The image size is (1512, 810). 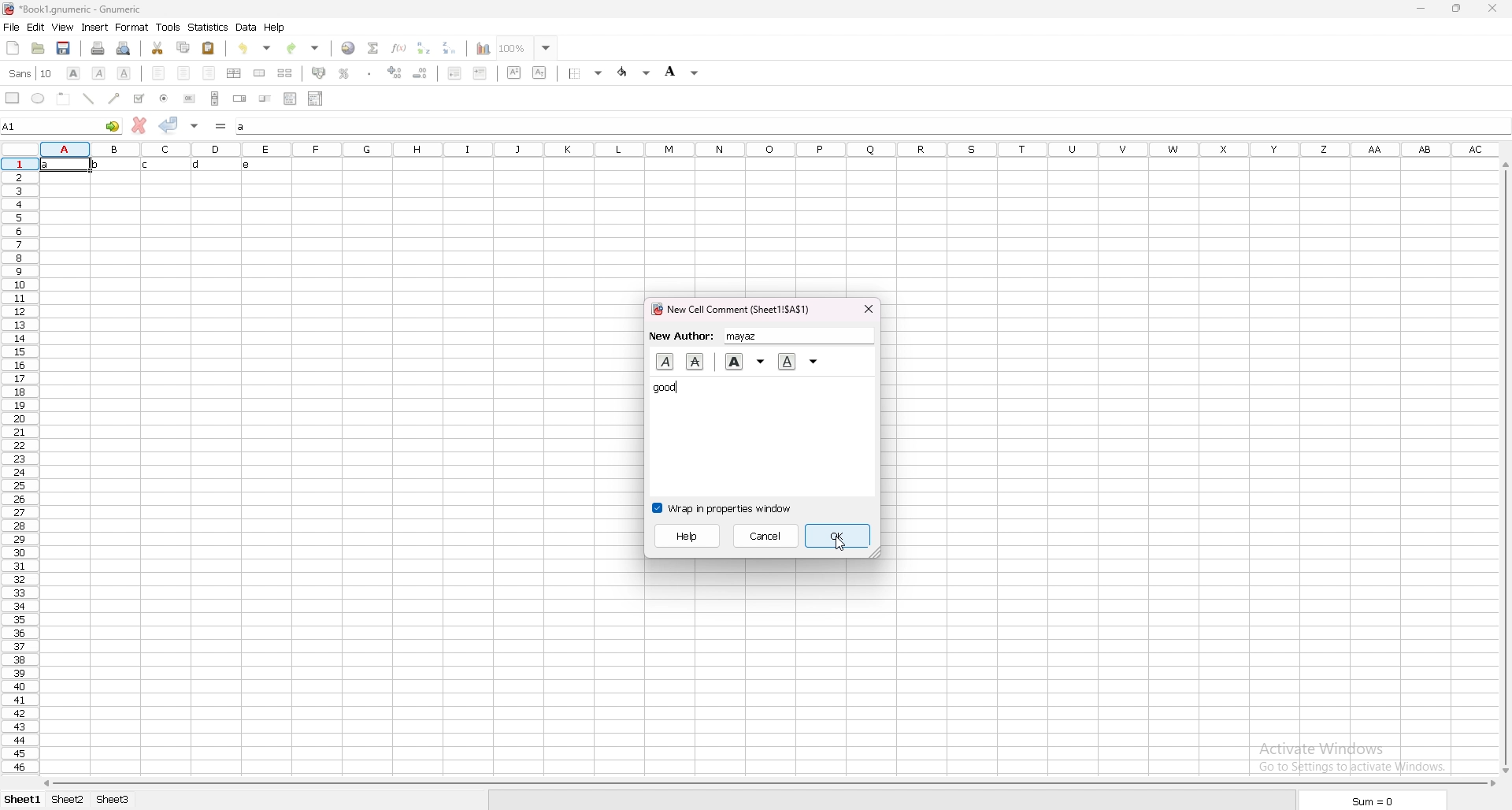 I want to click on accounting, so click(x=319, y=72).